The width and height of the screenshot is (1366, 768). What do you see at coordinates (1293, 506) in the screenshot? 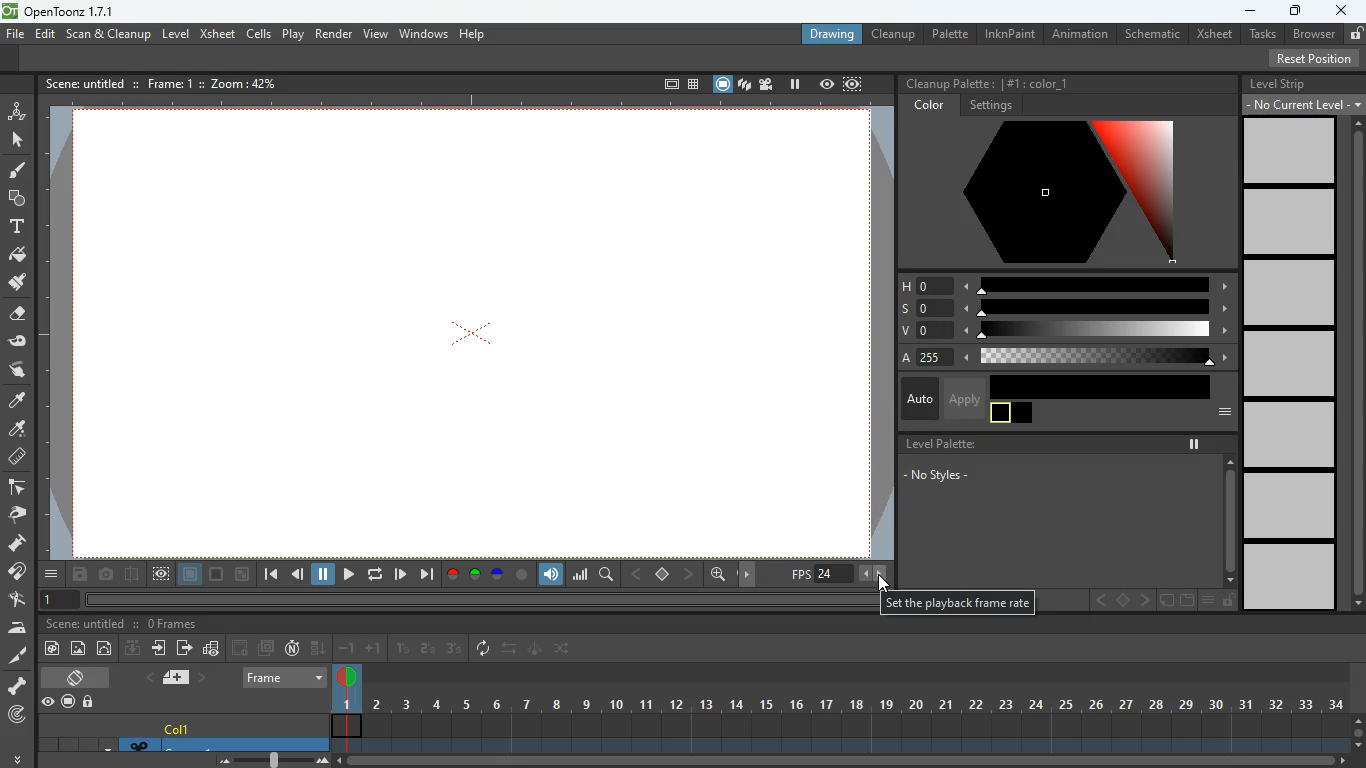
I see `level` at bounding box center [1293, 506].